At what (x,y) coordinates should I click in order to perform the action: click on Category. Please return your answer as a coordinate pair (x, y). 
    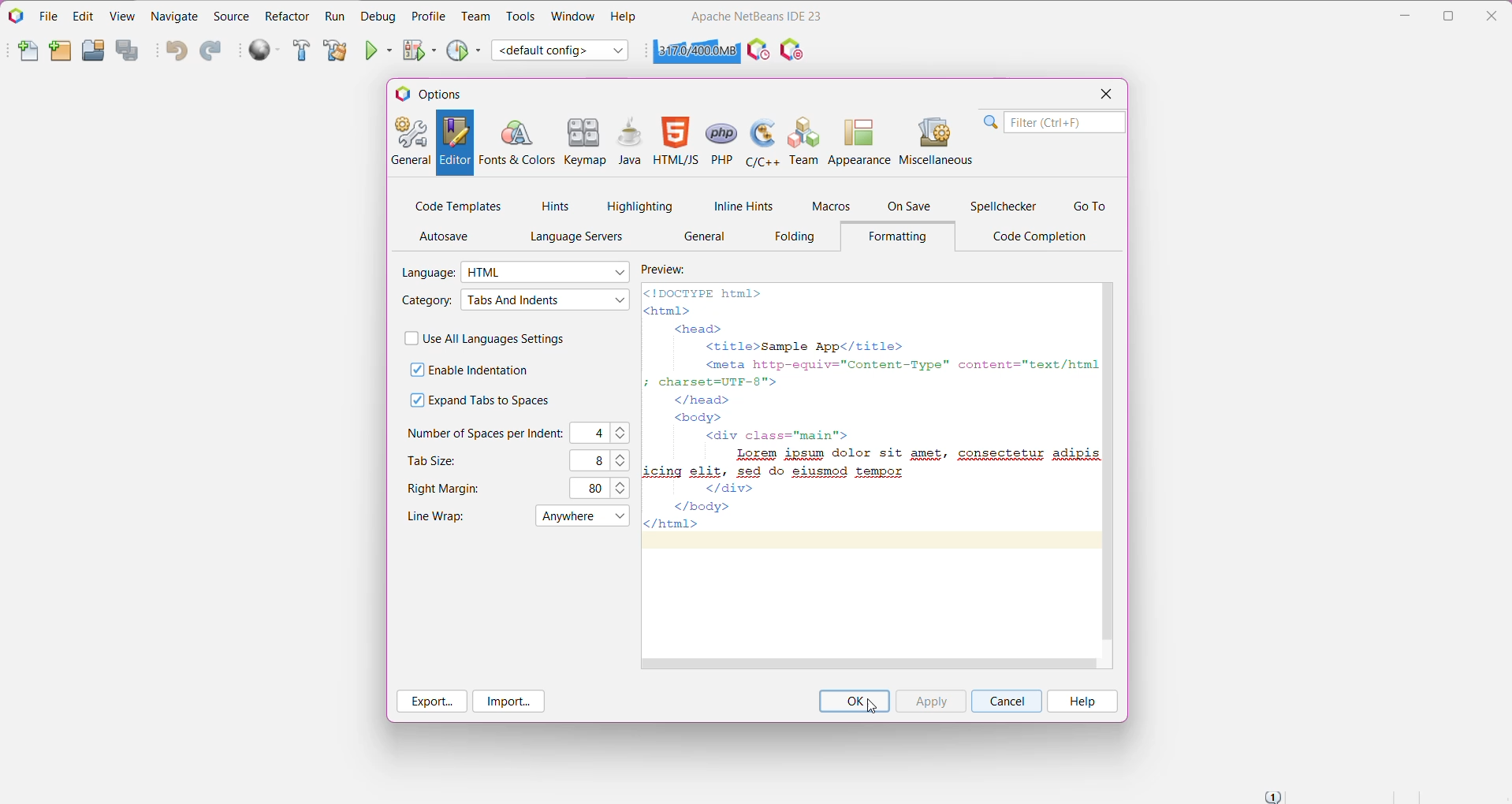
    Looking at the image, I should click on (425, 301).